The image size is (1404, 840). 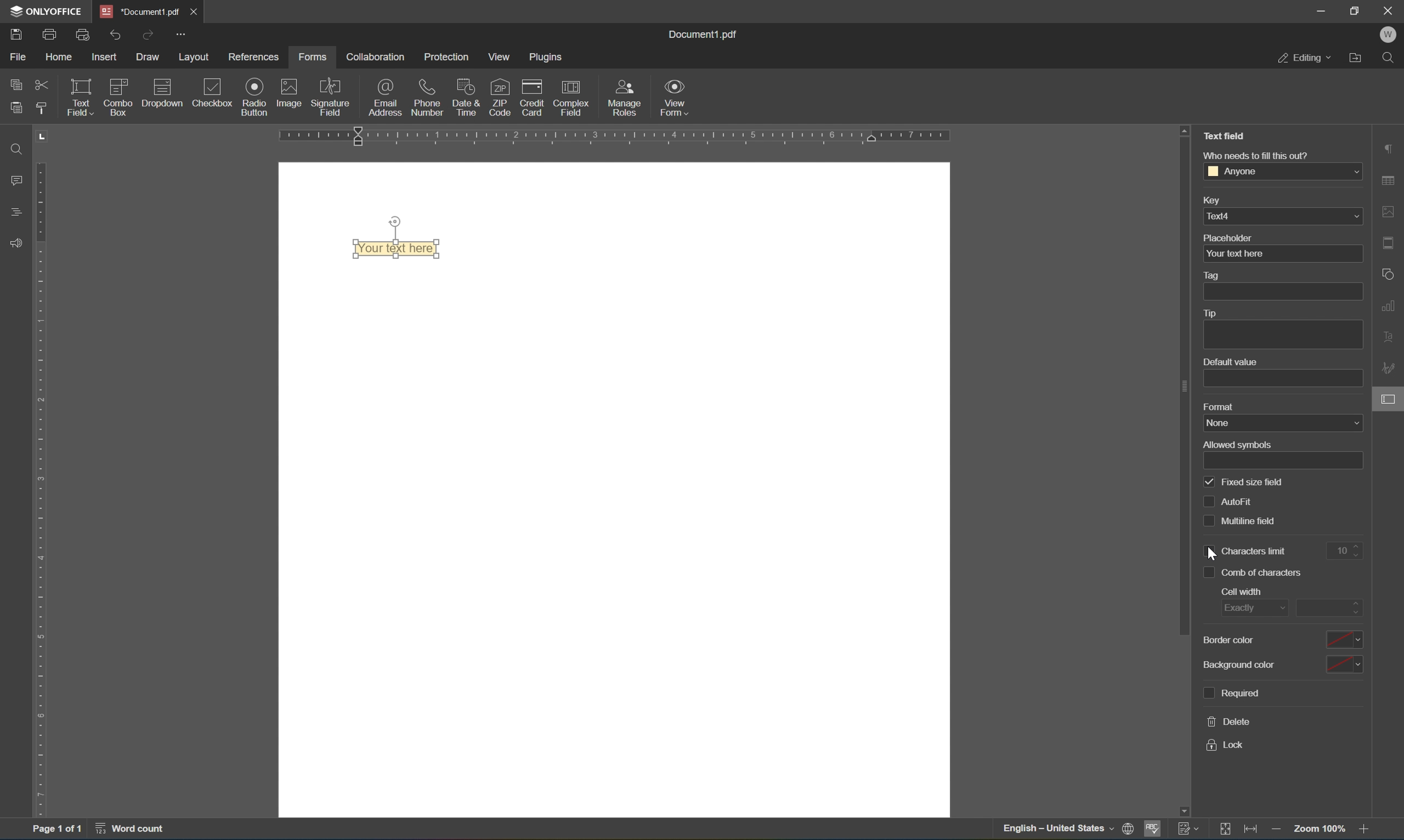 What do you see at coordinates (1354, 10) in the screenshot?
I see `restore down` at bounding box center [1354, 10].